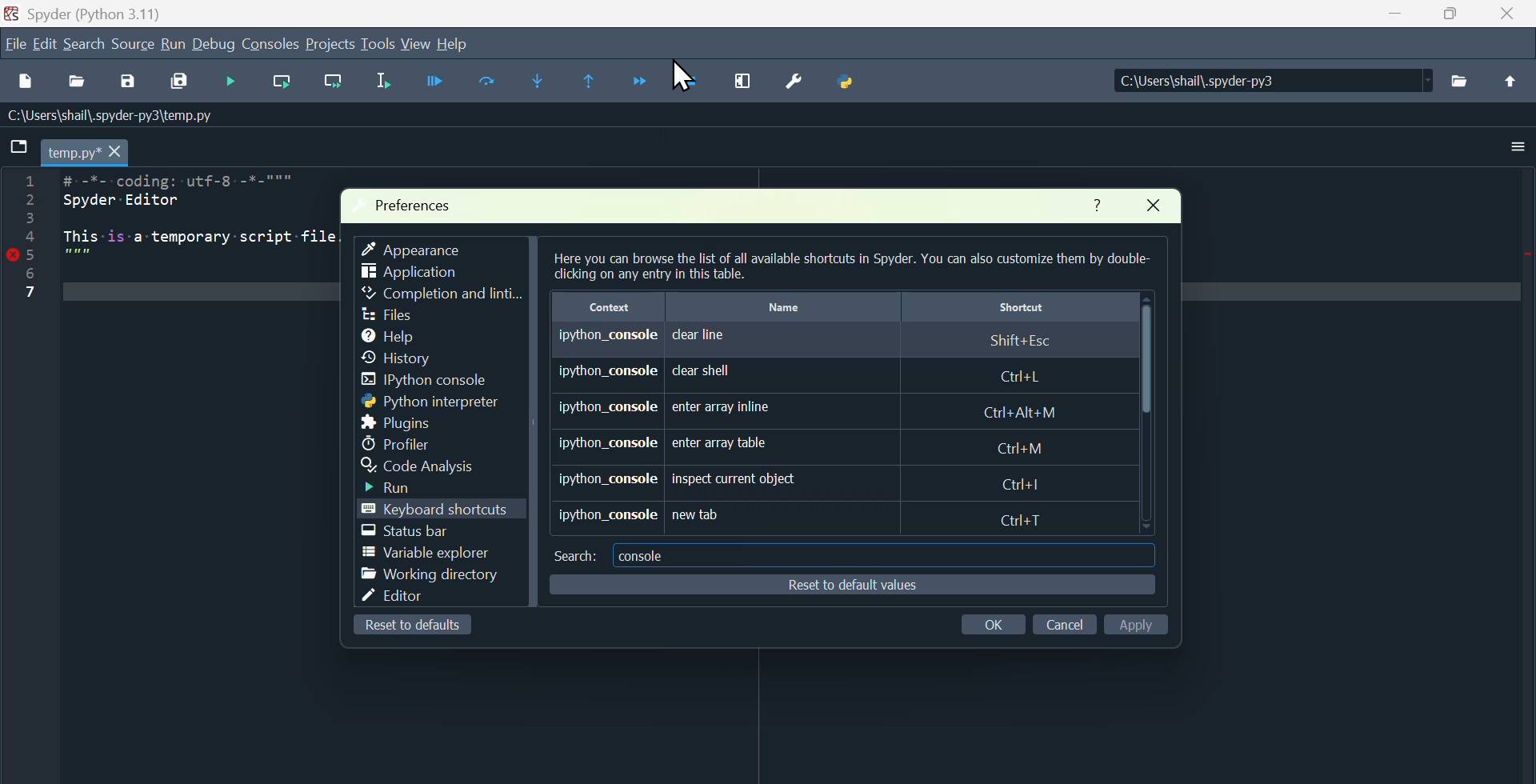 Image resolution: width=1536 pixels, height=784 pixels. What do you see at coordinates (810, 410) in the screenshot?
I see `Enter array inline` at bounding box center [810, 410].